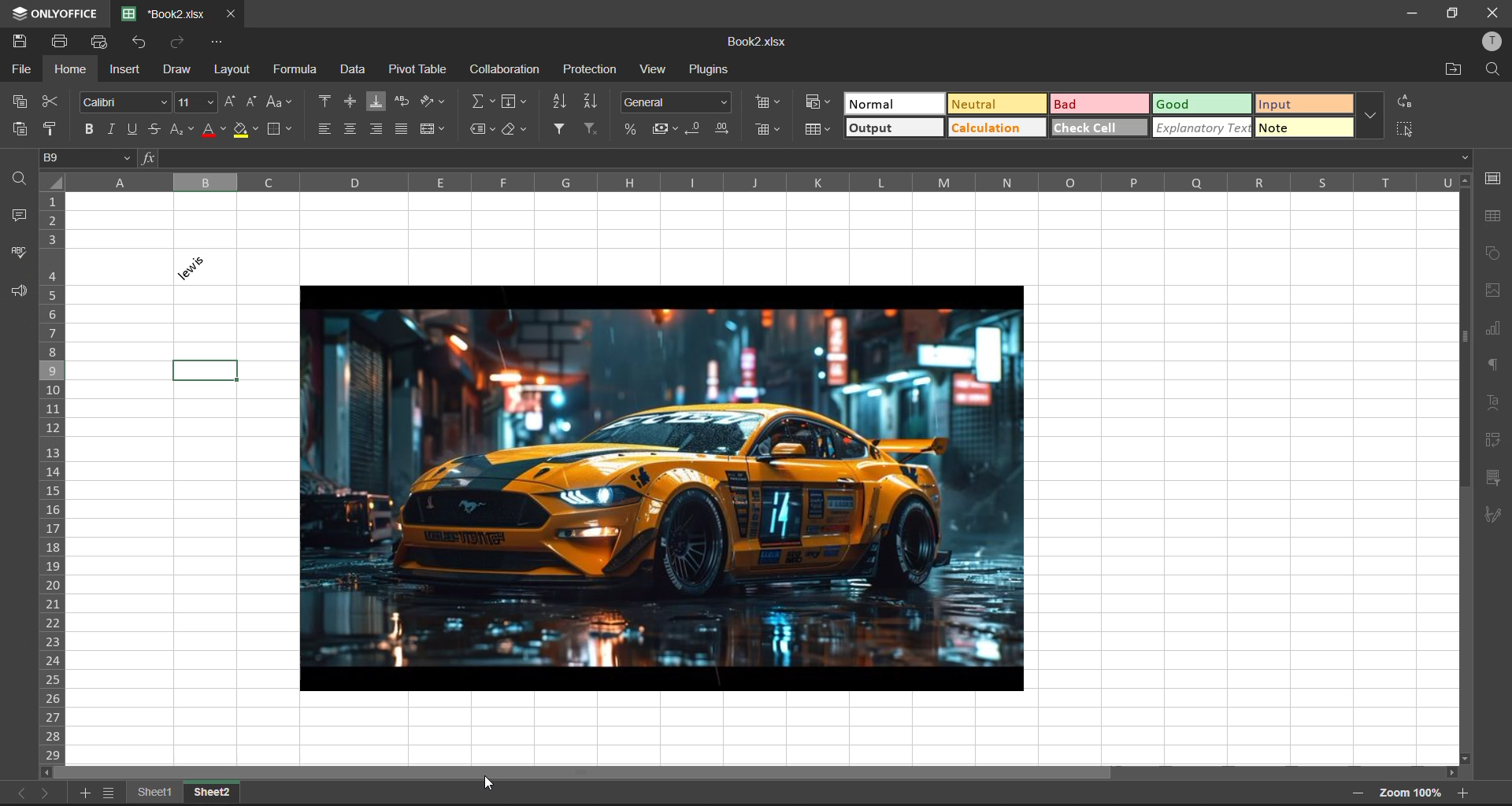  I want to click on decrement size, so click(254, 102).